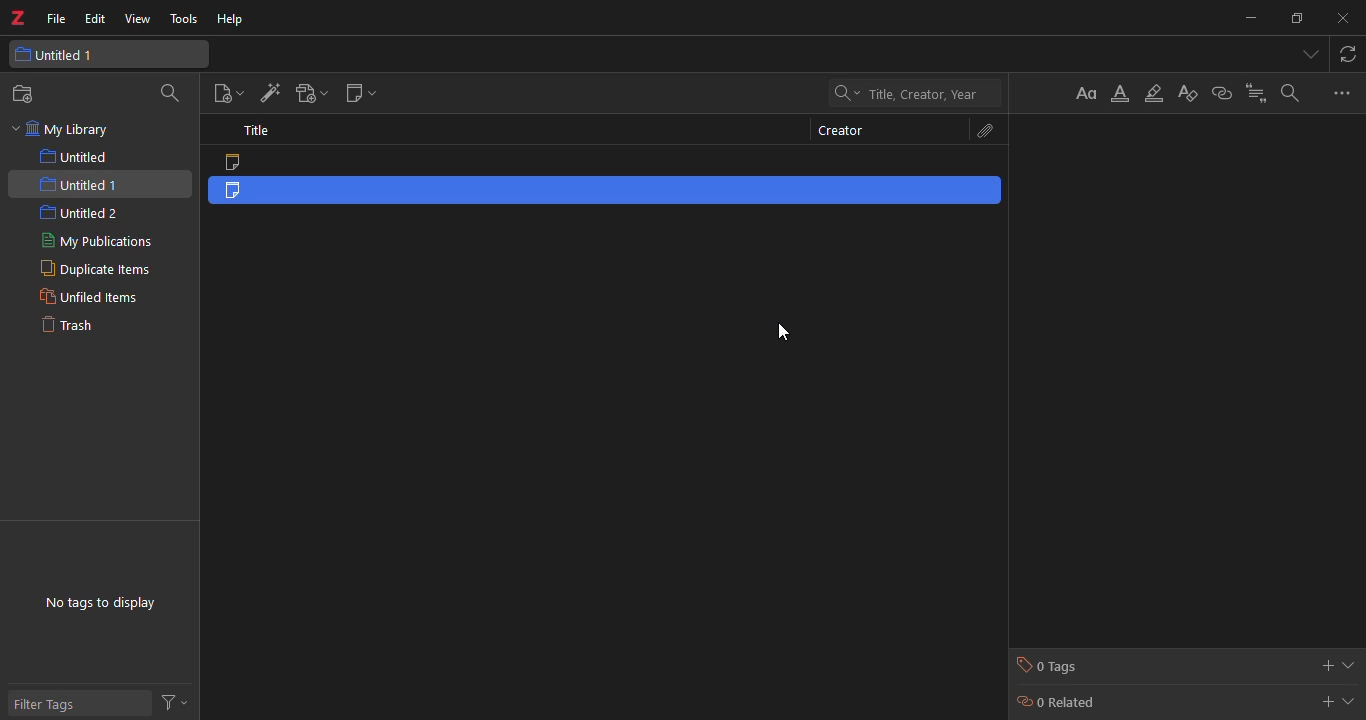 This screenshot has height=720, width=1366. I want to click on 0 related, so click(1061, 702).